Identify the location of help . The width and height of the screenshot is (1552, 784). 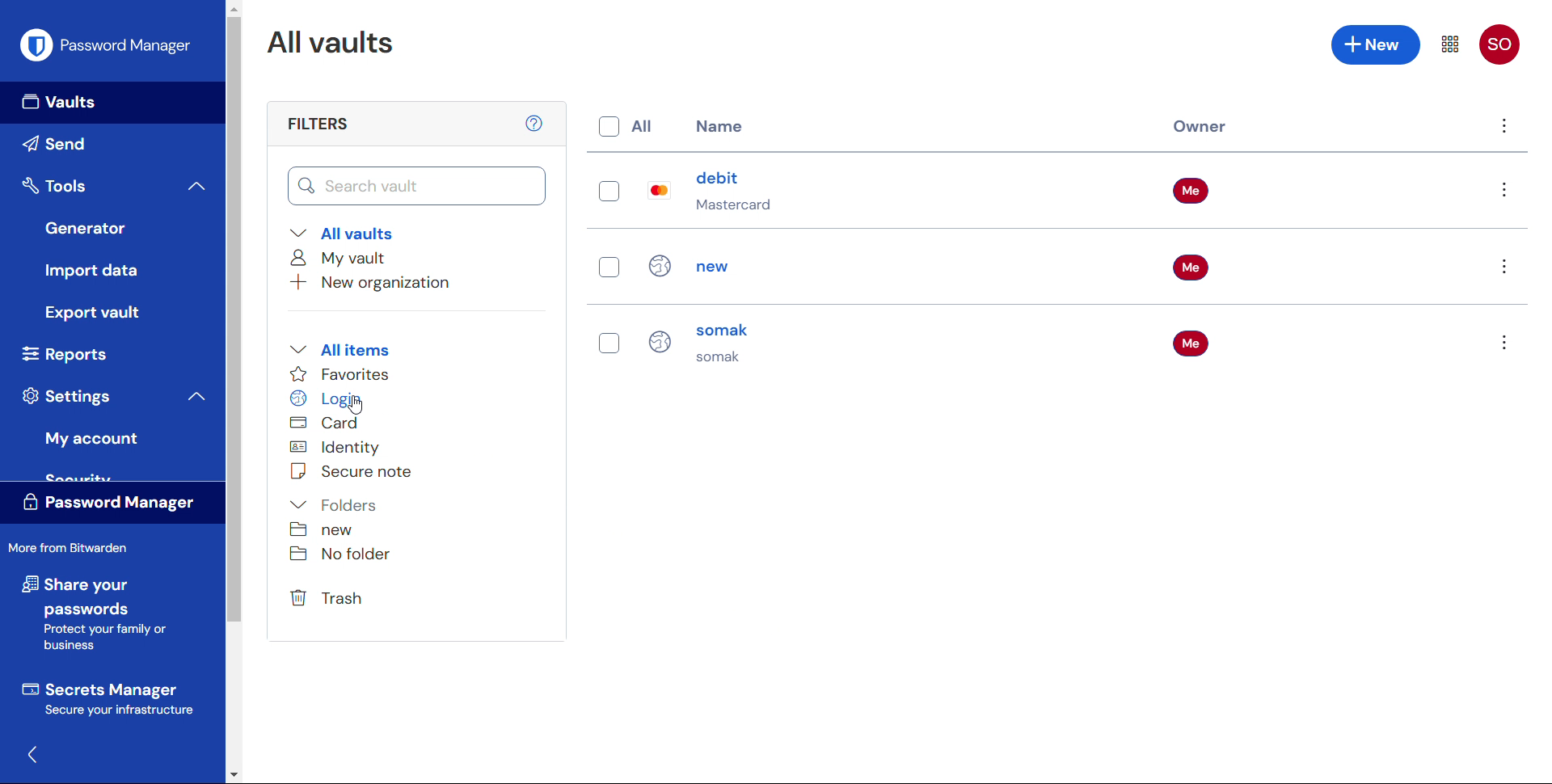
(535, 123).